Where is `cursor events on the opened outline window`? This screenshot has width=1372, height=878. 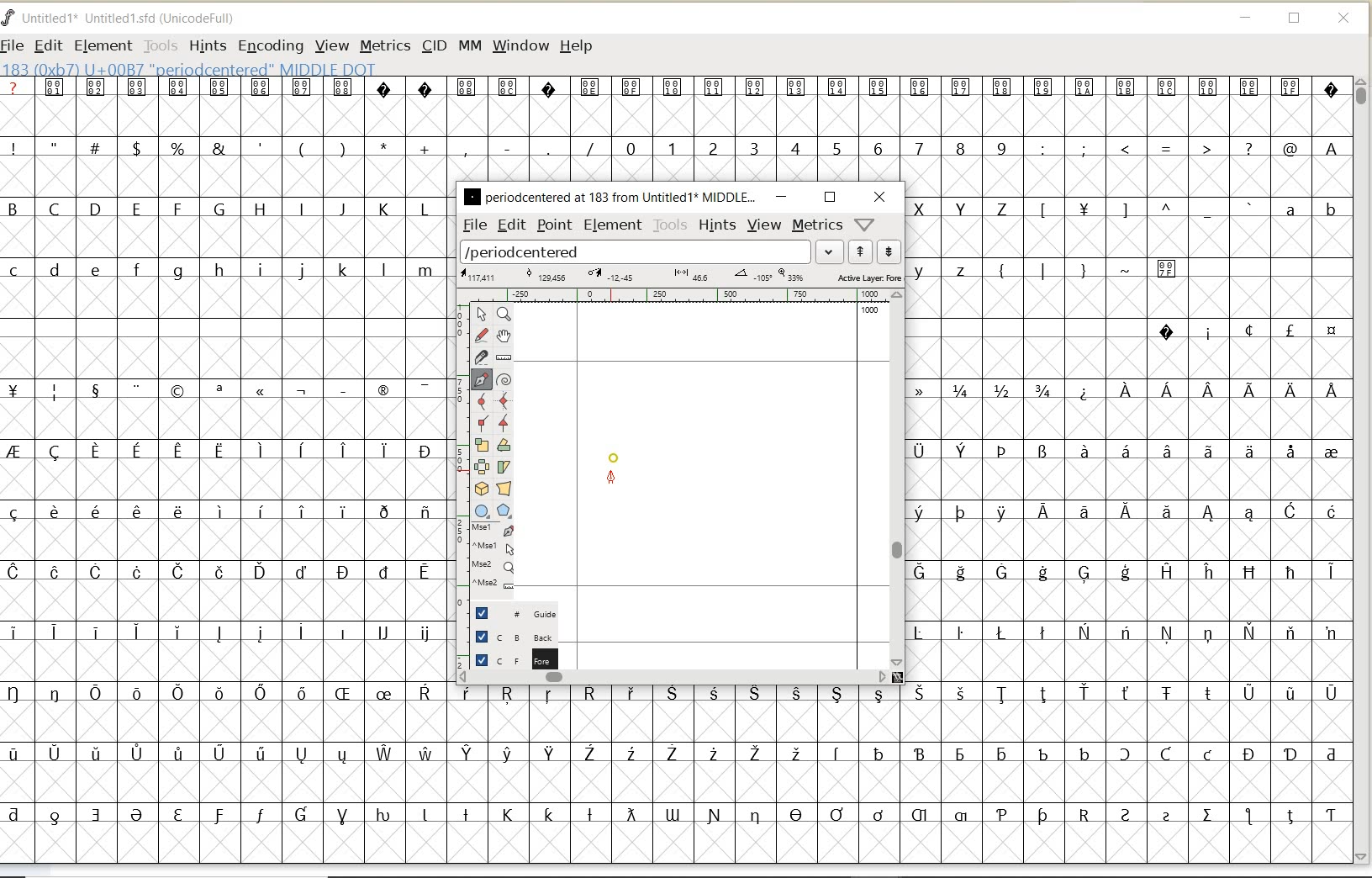 cursor events on the opened outline window is located at coordinates (493, 557).